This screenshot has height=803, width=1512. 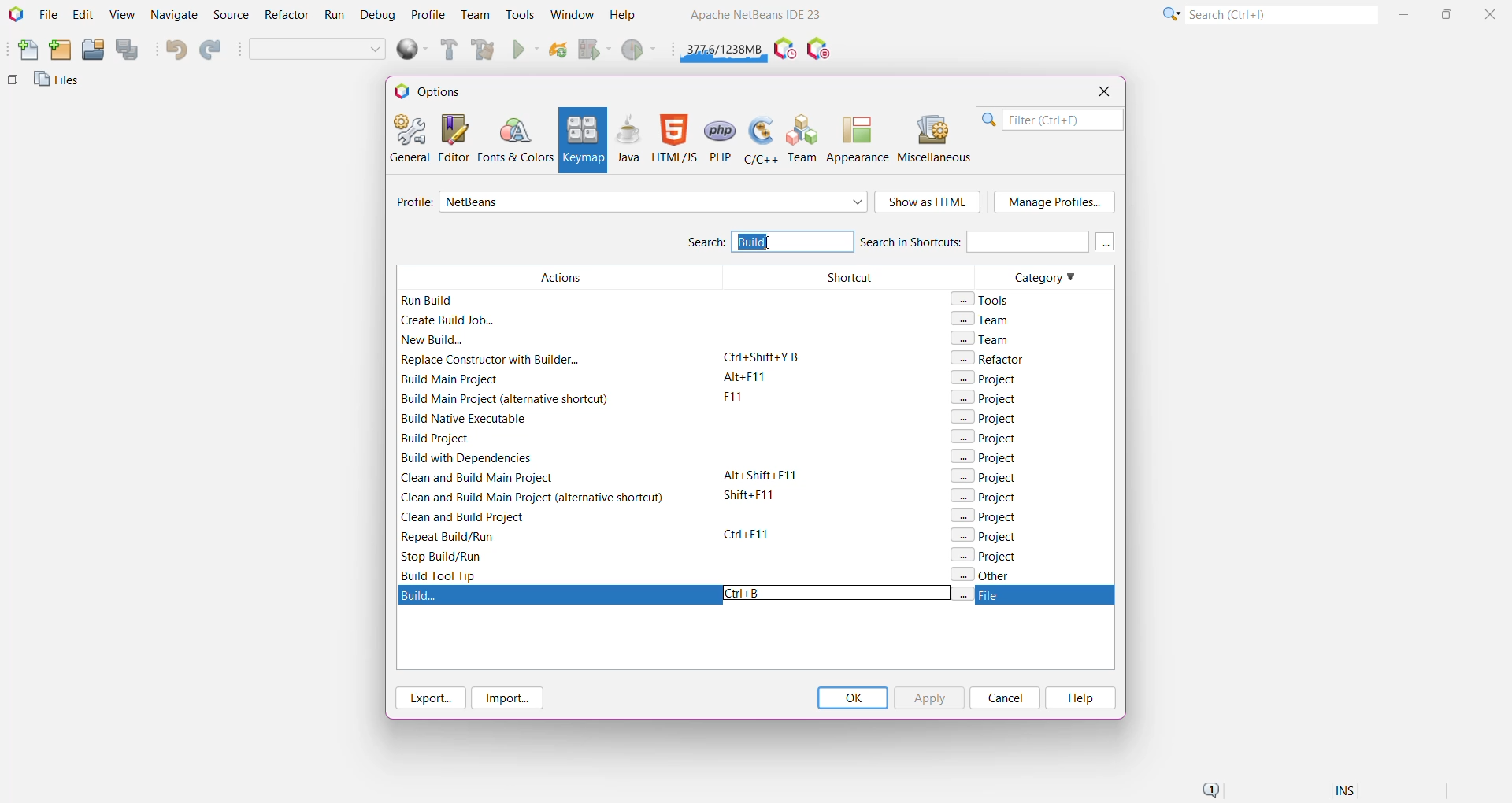 What do you see at coordinates (572, 14) in the screenshot?
I see `Window` at bounding box center [572, 14].